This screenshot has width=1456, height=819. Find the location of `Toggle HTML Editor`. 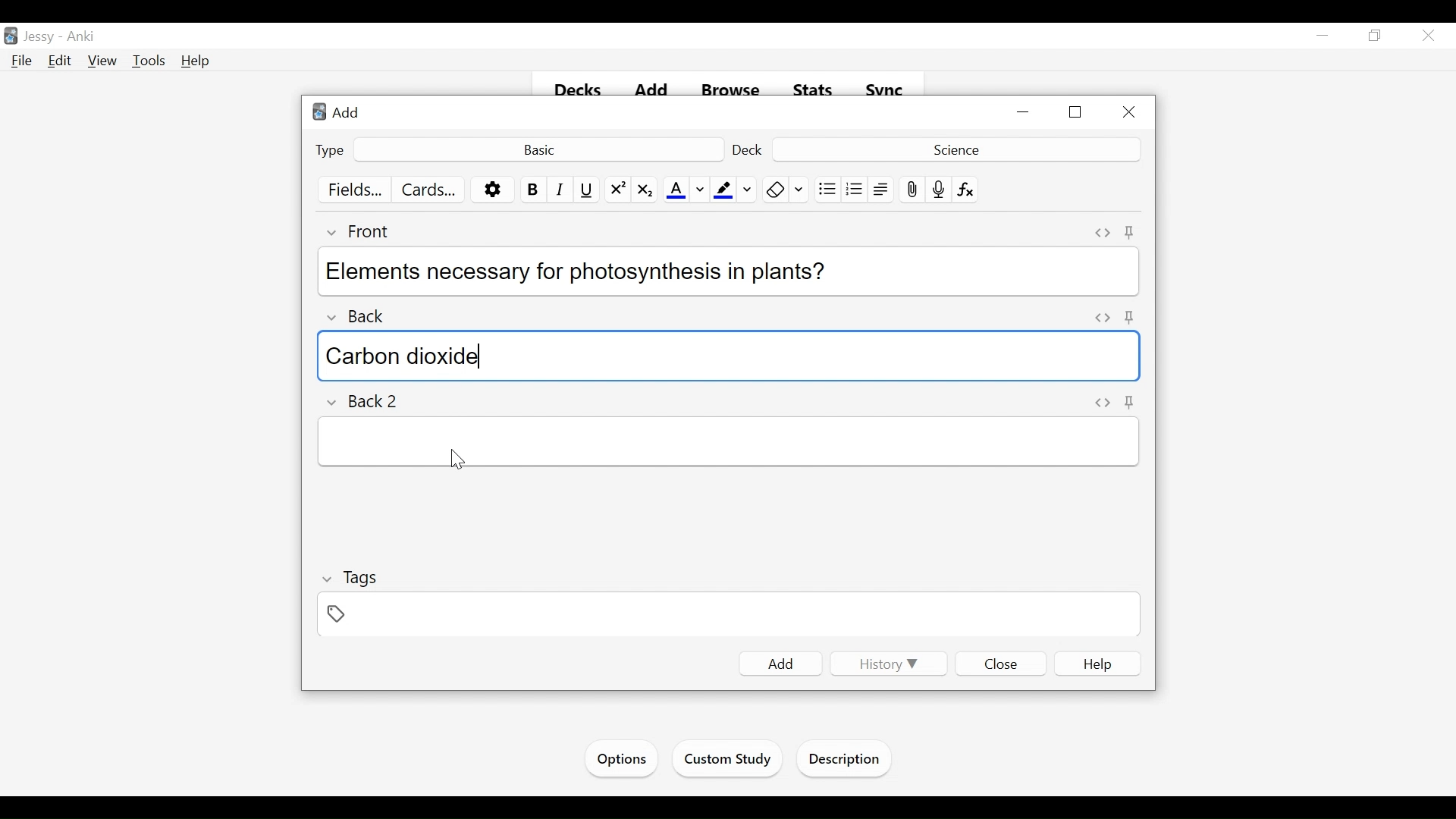

Toggle HTML Editor is located at coordinates (1103, 401).